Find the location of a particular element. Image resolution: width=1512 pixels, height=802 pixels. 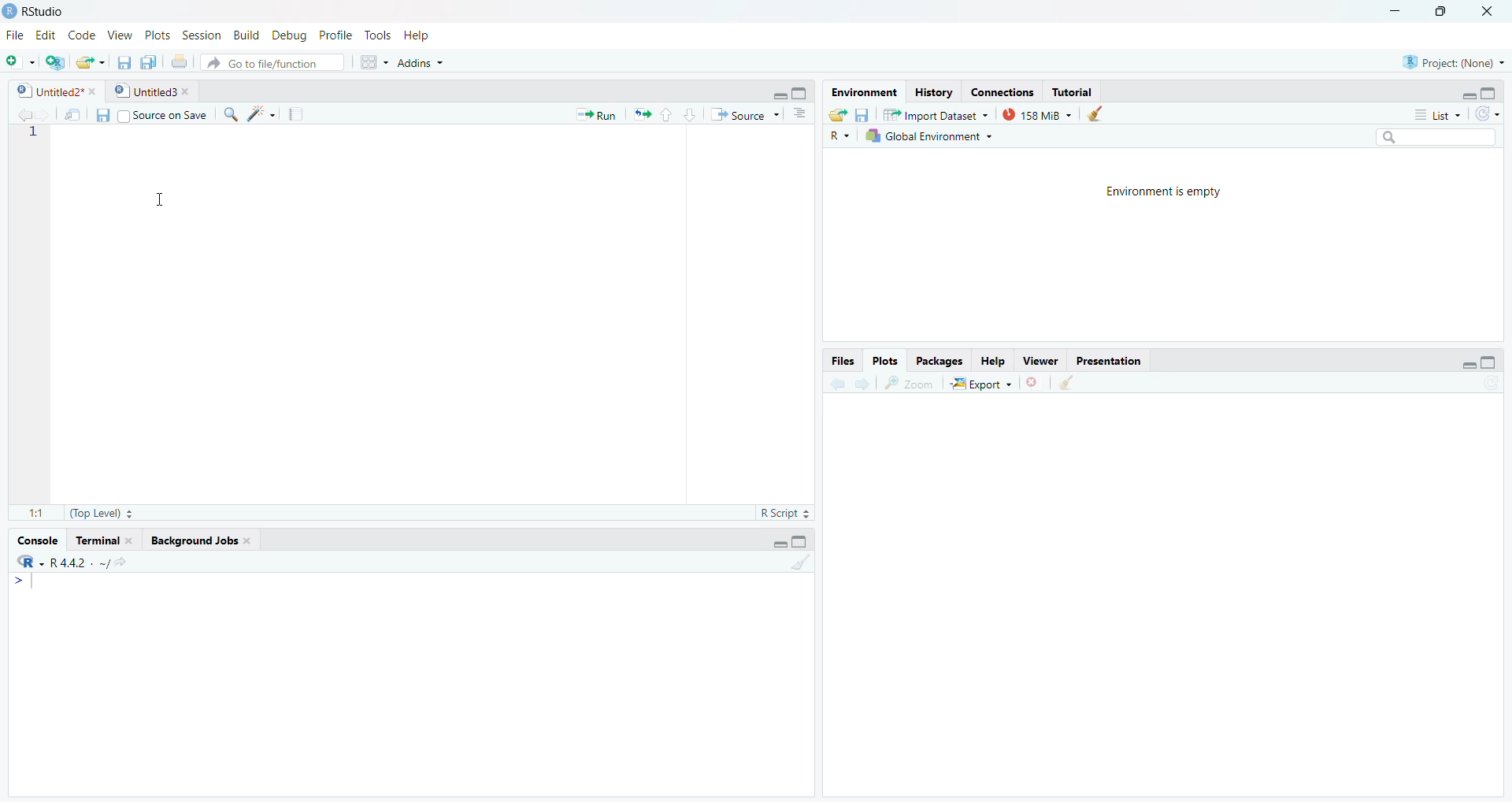

New file is located at coordinates (20, 59).